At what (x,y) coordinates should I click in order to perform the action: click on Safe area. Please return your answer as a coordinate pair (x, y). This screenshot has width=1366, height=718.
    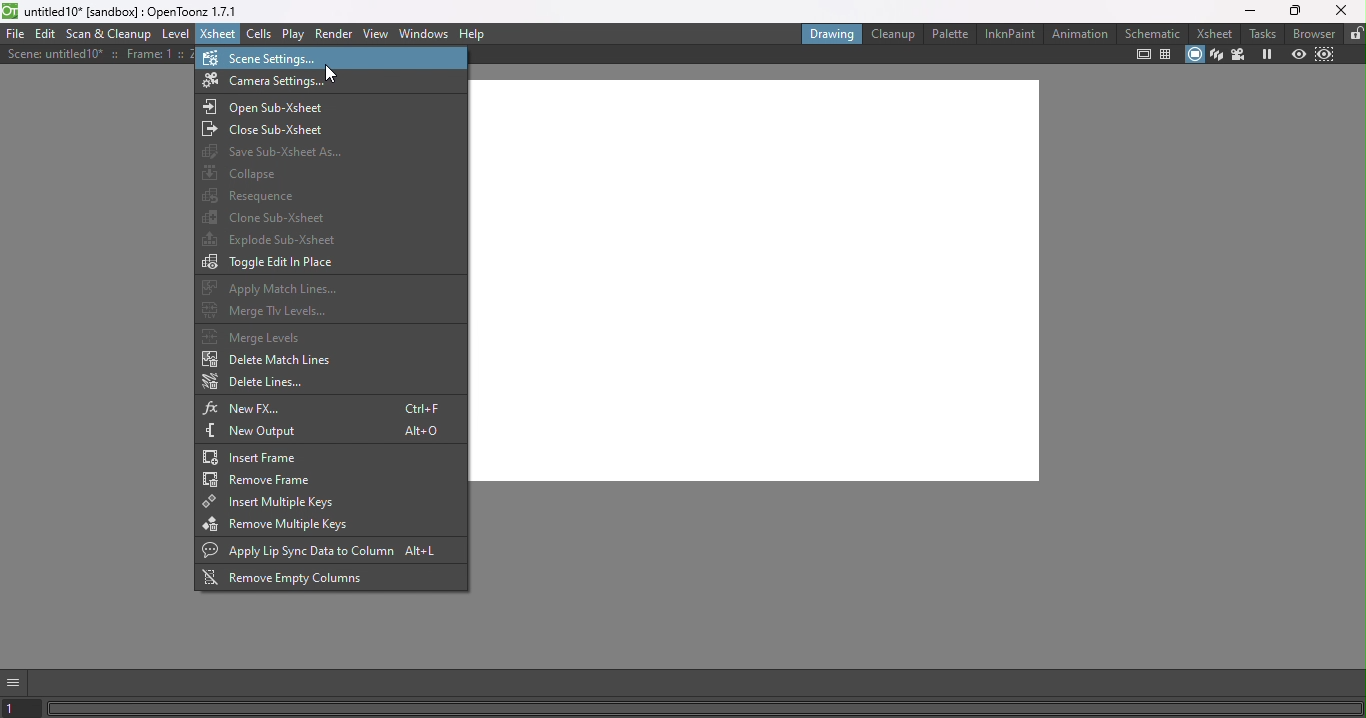
    Looking at the image, I should click on (1142, 55).